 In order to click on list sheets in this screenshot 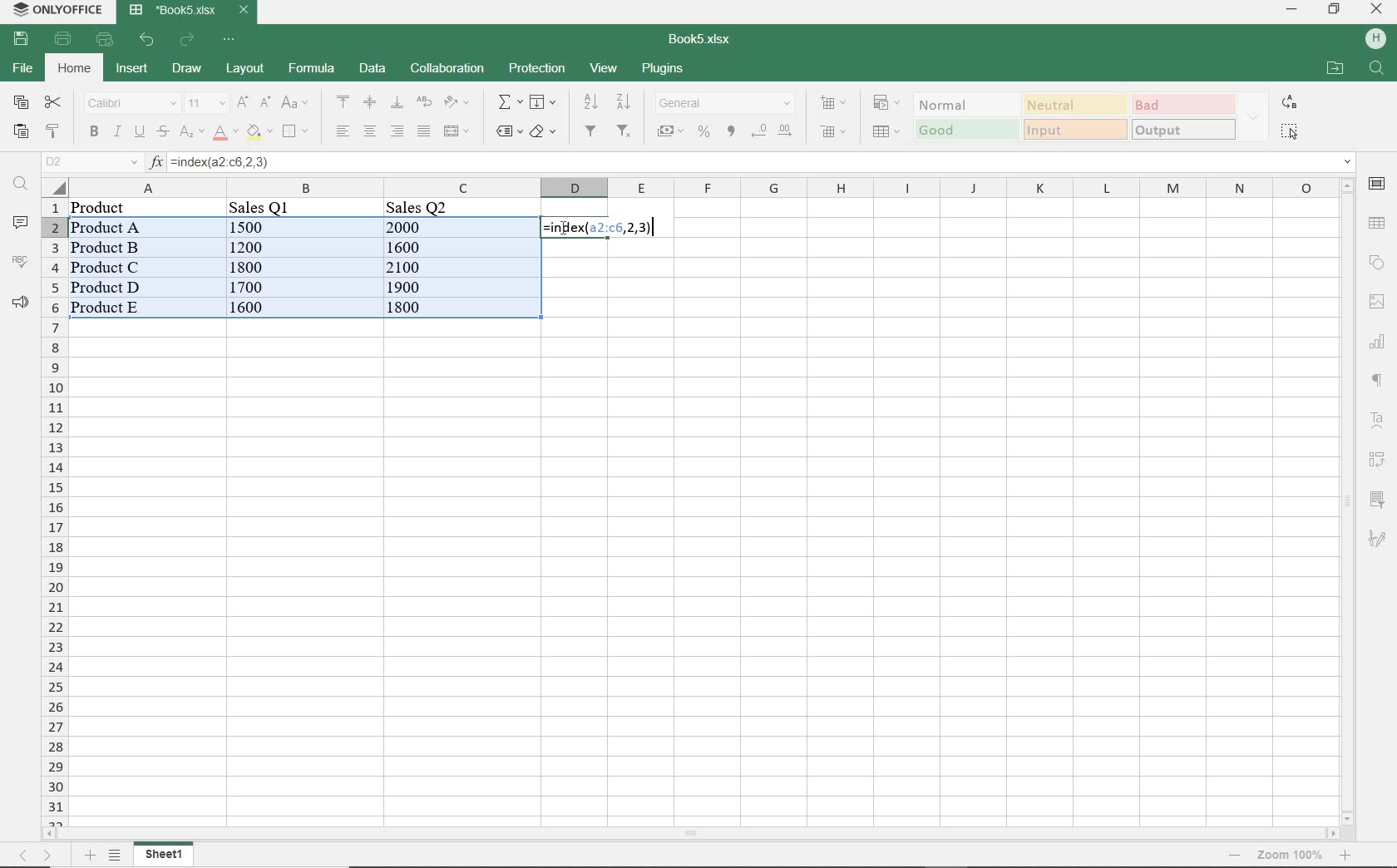, I will do `click(117, 856)`.